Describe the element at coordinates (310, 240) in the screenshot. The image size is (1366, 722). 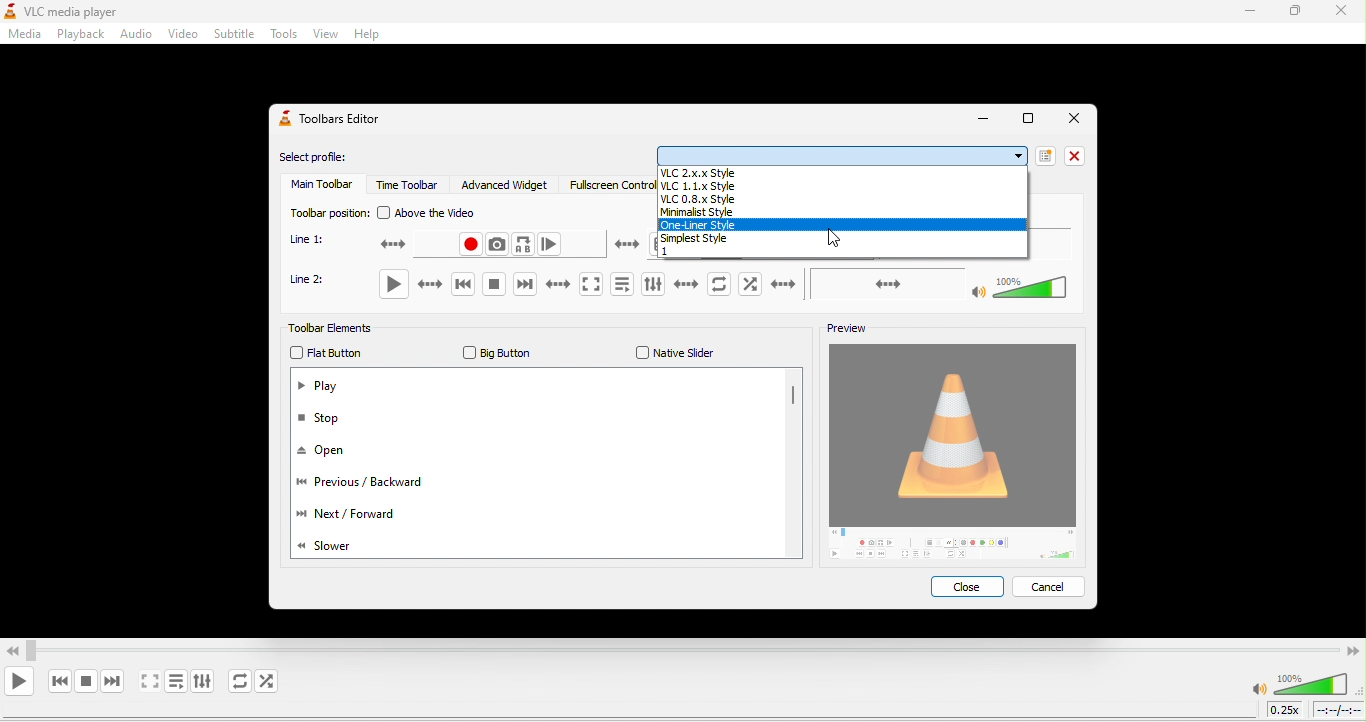
I see `line 1` at that location.